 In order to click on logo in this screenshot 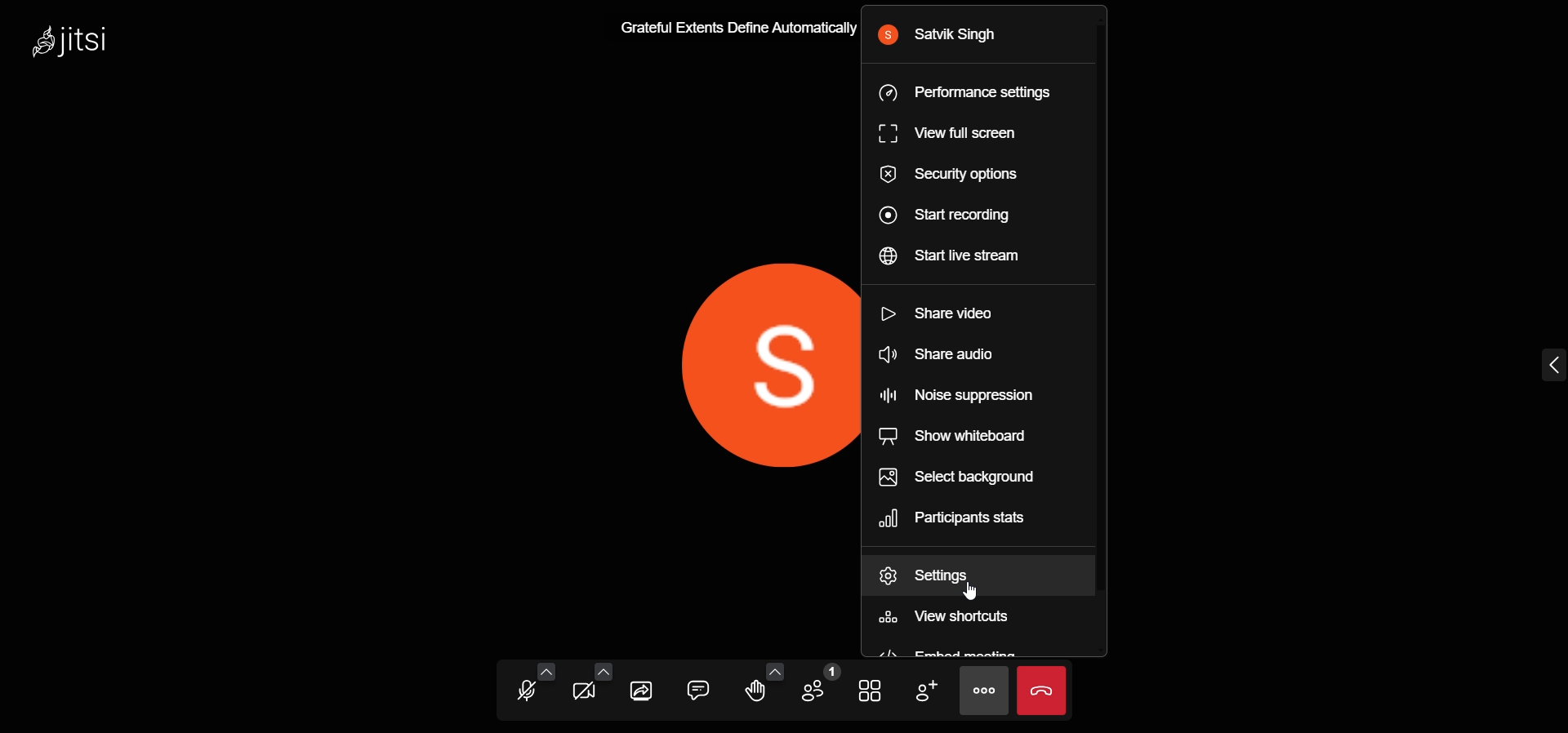, I will do `click(73, 42)`.